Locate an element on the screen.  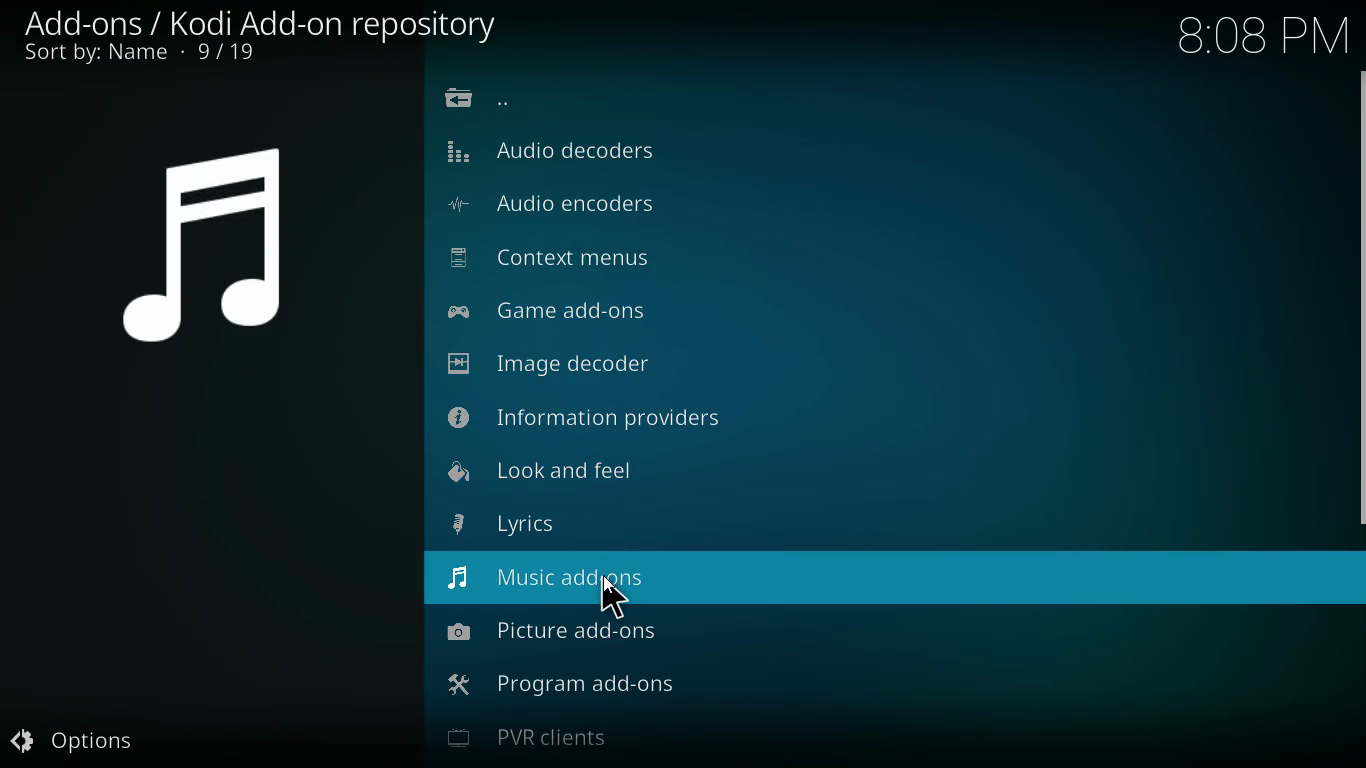
Lyrics is located at coordinates (533, 522).